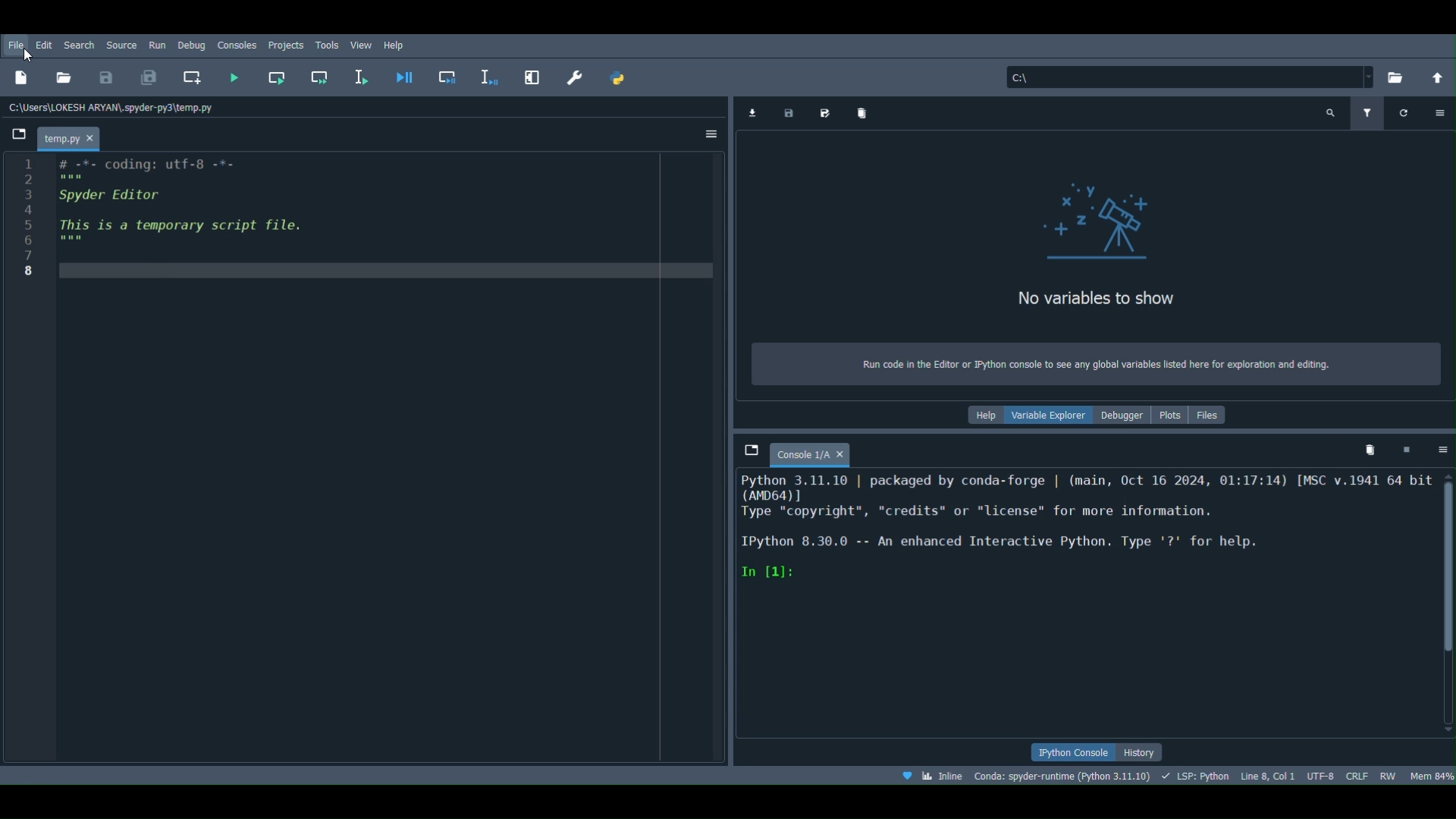 This screenshot has height=819, width=1456. Describe the element at coordinates (1448, 603) in the screenshot. I see `Scrollbar` at that location.